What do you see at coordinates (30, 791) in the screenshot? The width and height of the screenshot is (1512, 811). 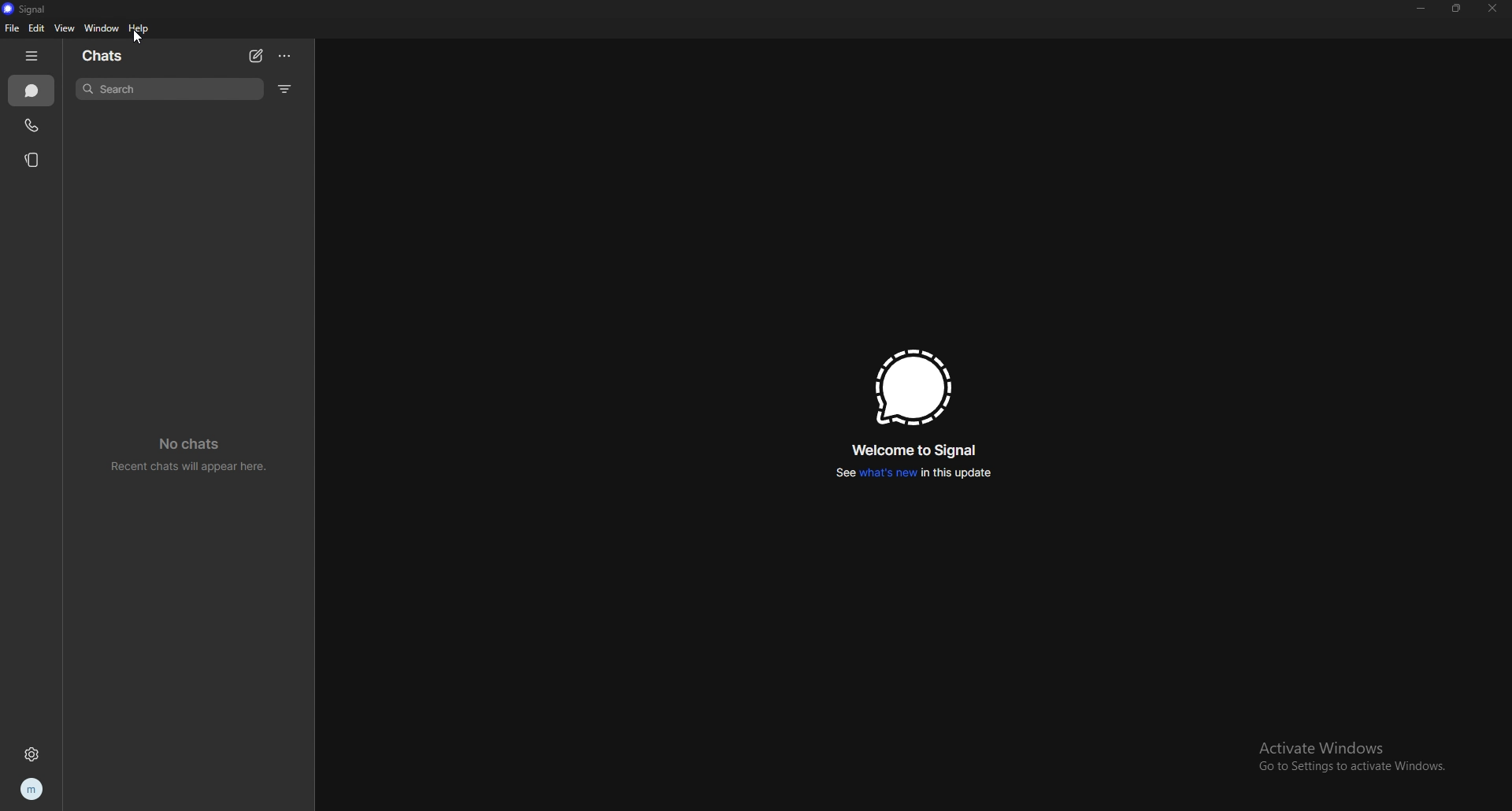 I see `profile` at bounding box center [30, 791].